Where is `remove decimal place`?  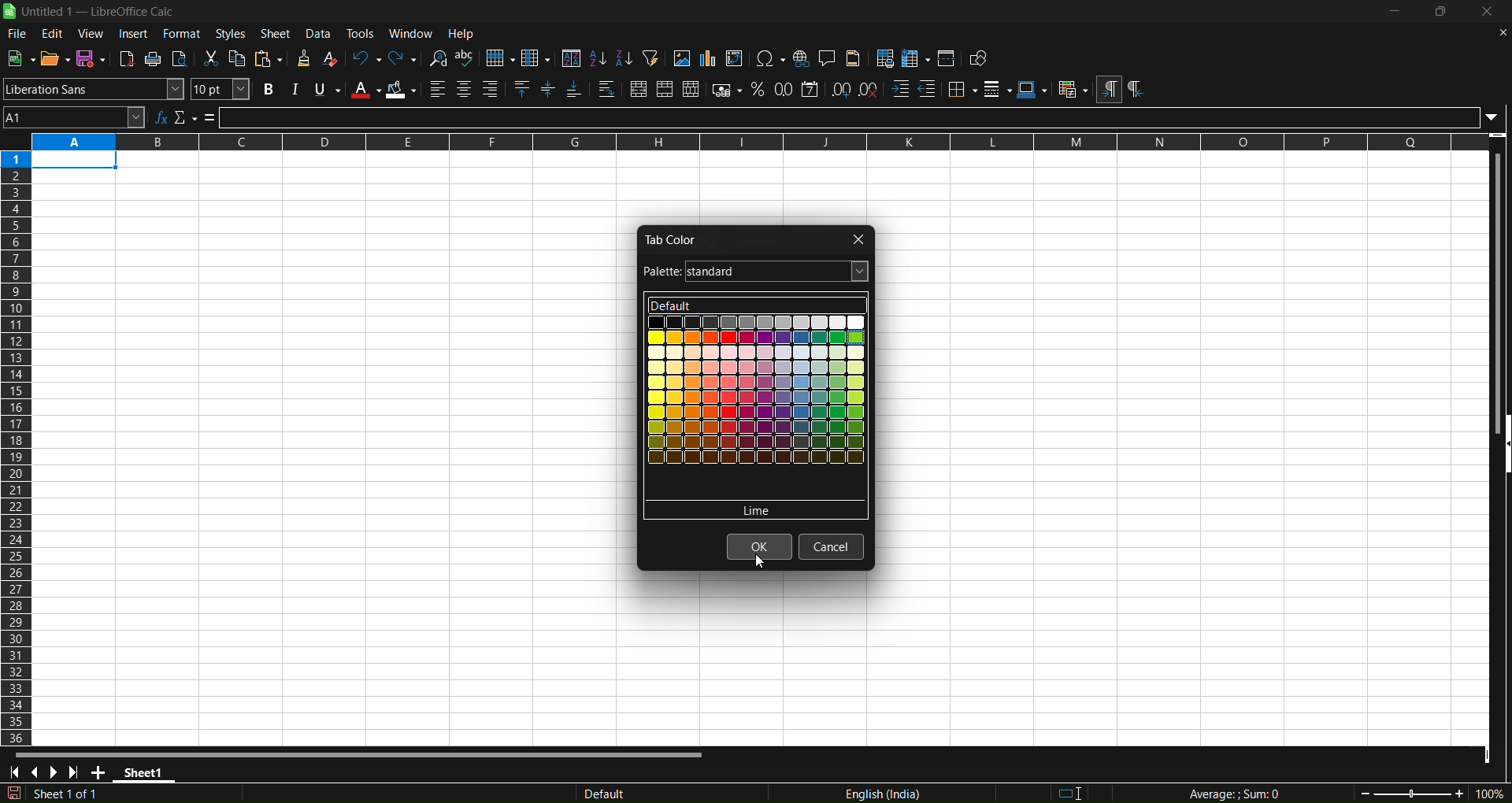
remove decimal place is located at coordinates (869, 88).